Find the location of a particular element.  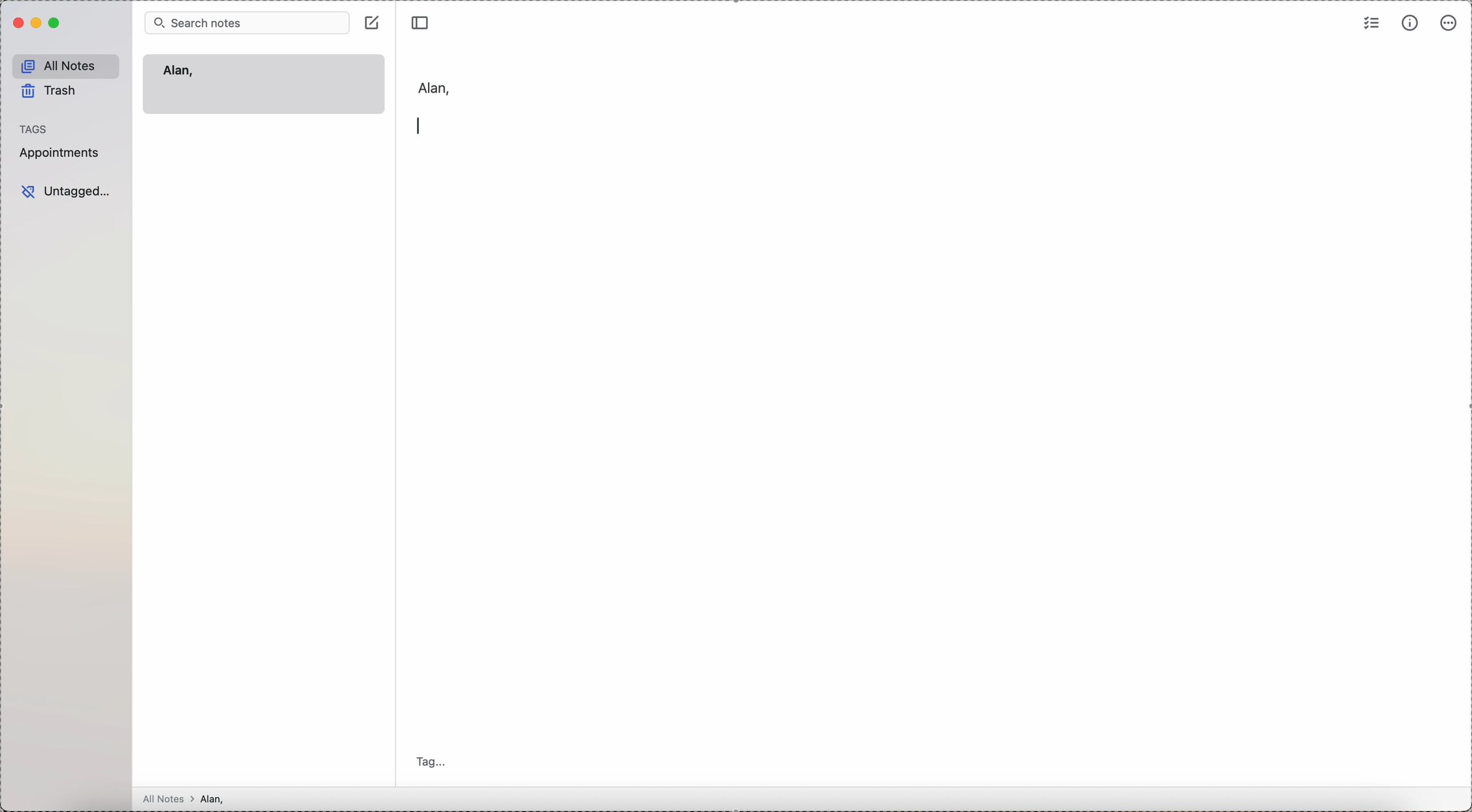

create note is located at coordinates (374, 22).